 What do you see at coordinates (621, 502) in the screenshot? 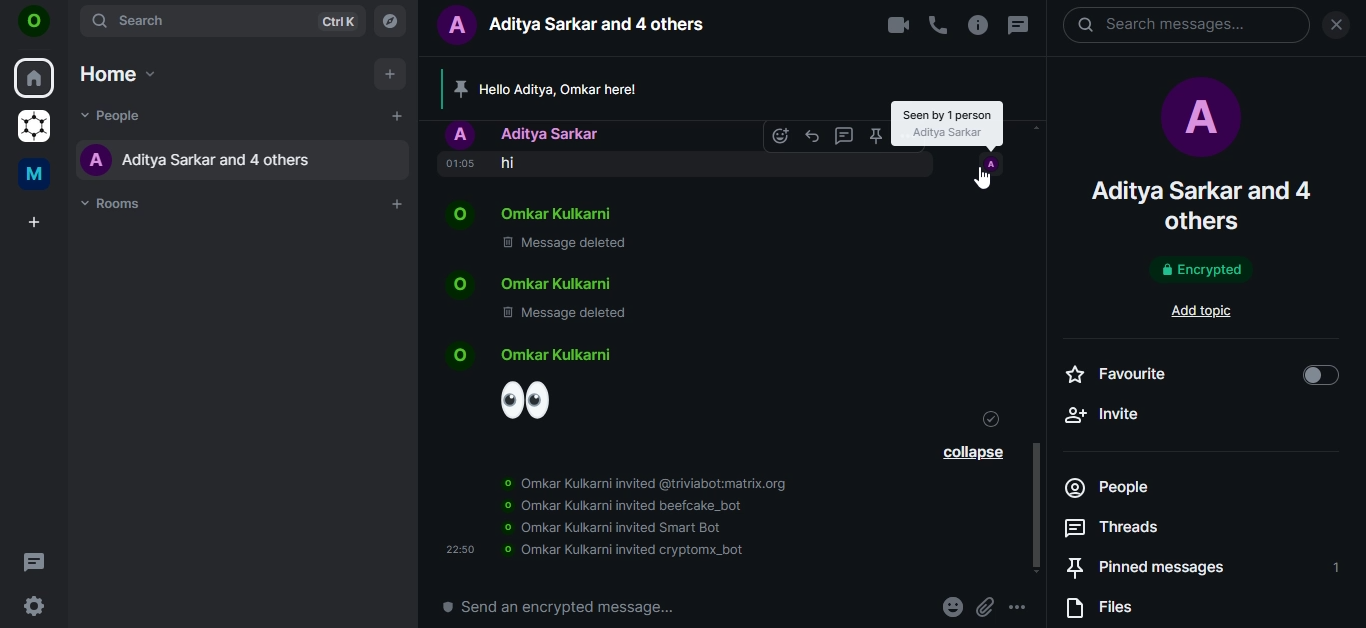
I see `information about invited bots` at bounding box center [621, 502].